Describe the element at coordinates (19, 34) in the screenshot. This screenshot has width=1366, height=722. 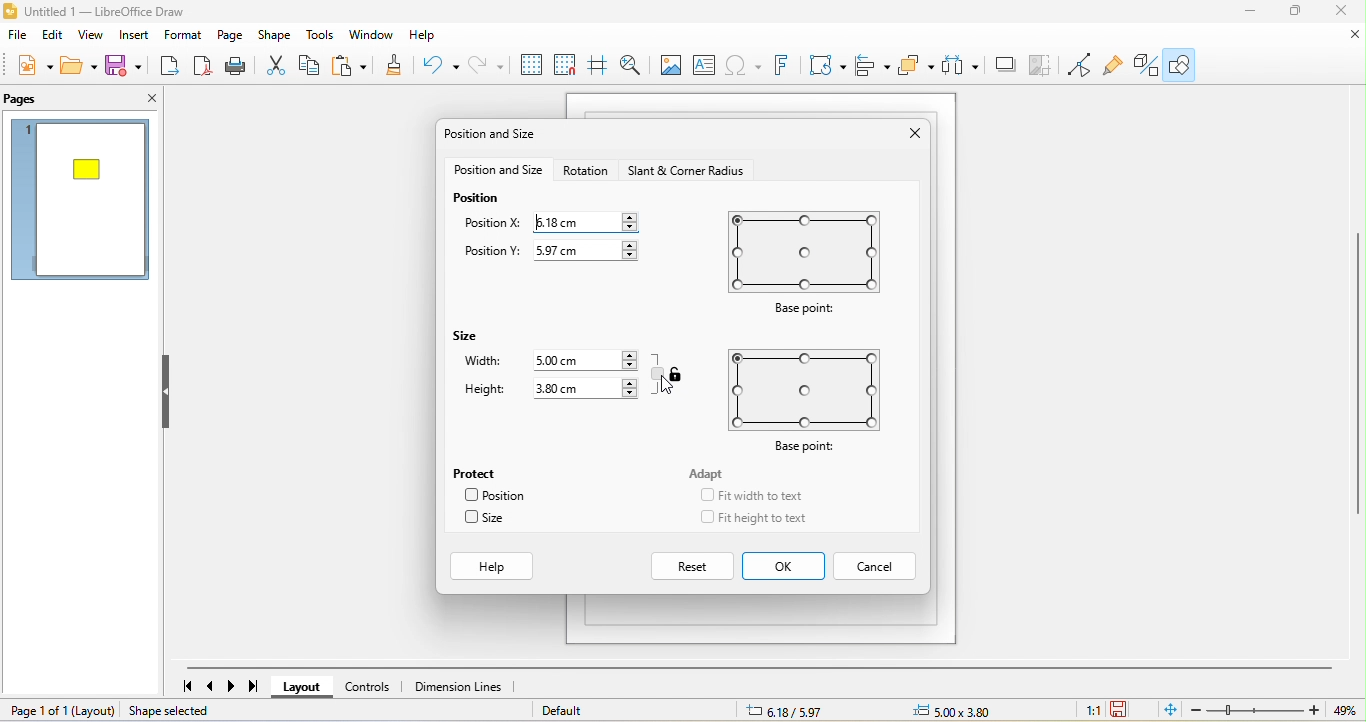
I see `file` at that location.